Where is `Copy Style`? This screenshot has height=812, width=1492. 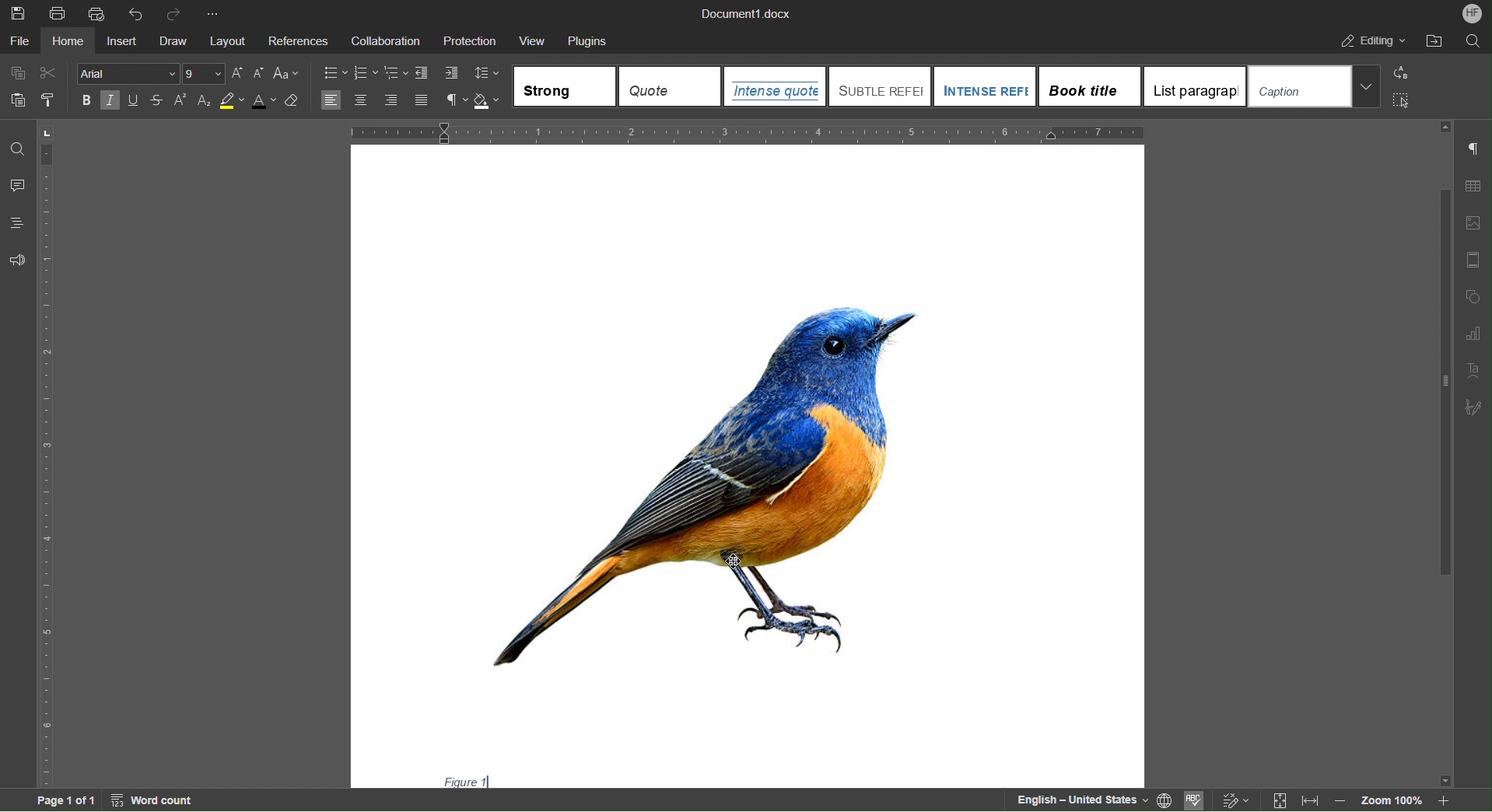
Copy Style is located at coordinates (49, 100).